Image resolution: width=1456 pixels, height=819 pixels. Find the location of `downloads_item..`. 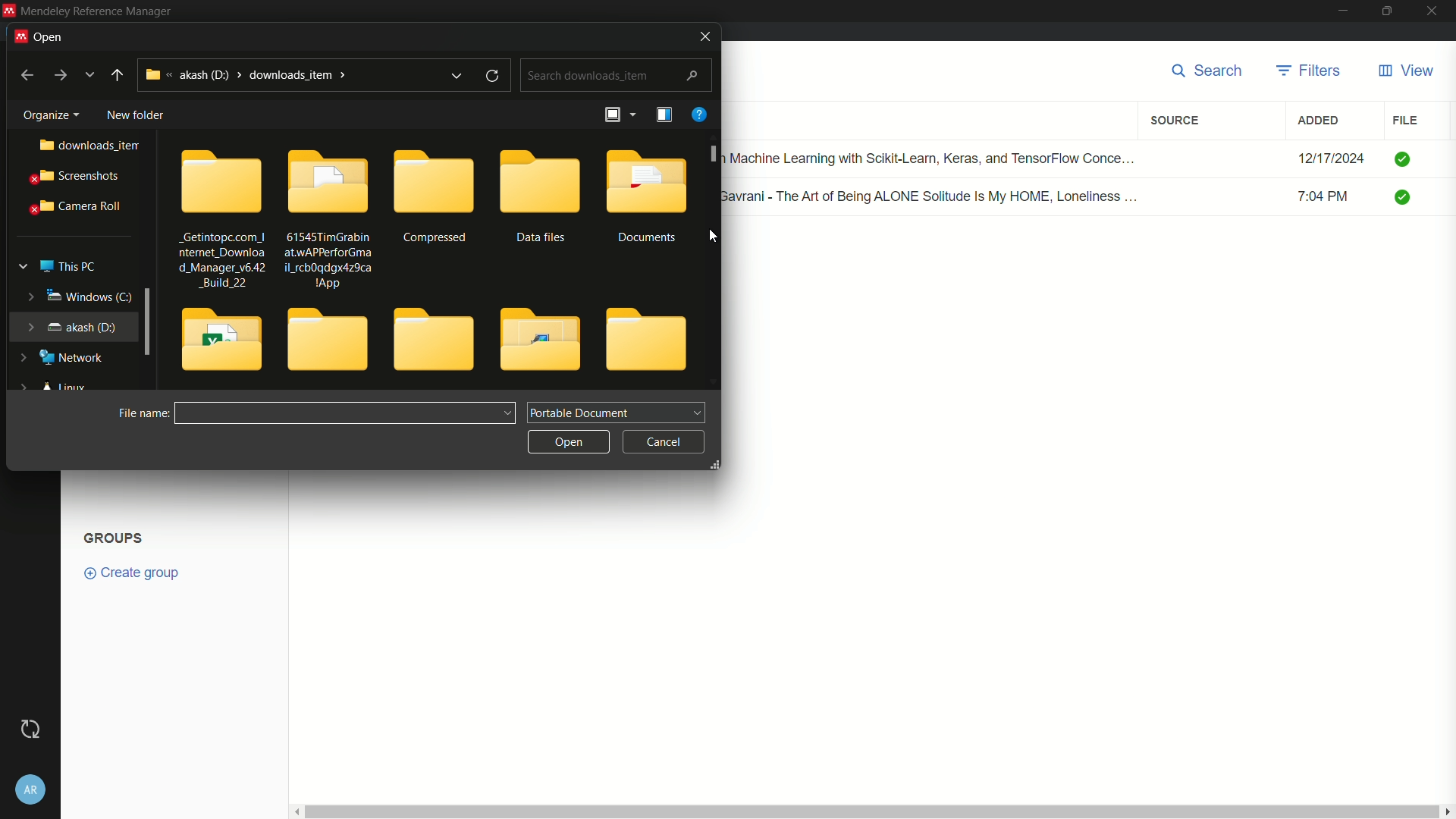

downloads_item.. is located at coordinates (77, 146).